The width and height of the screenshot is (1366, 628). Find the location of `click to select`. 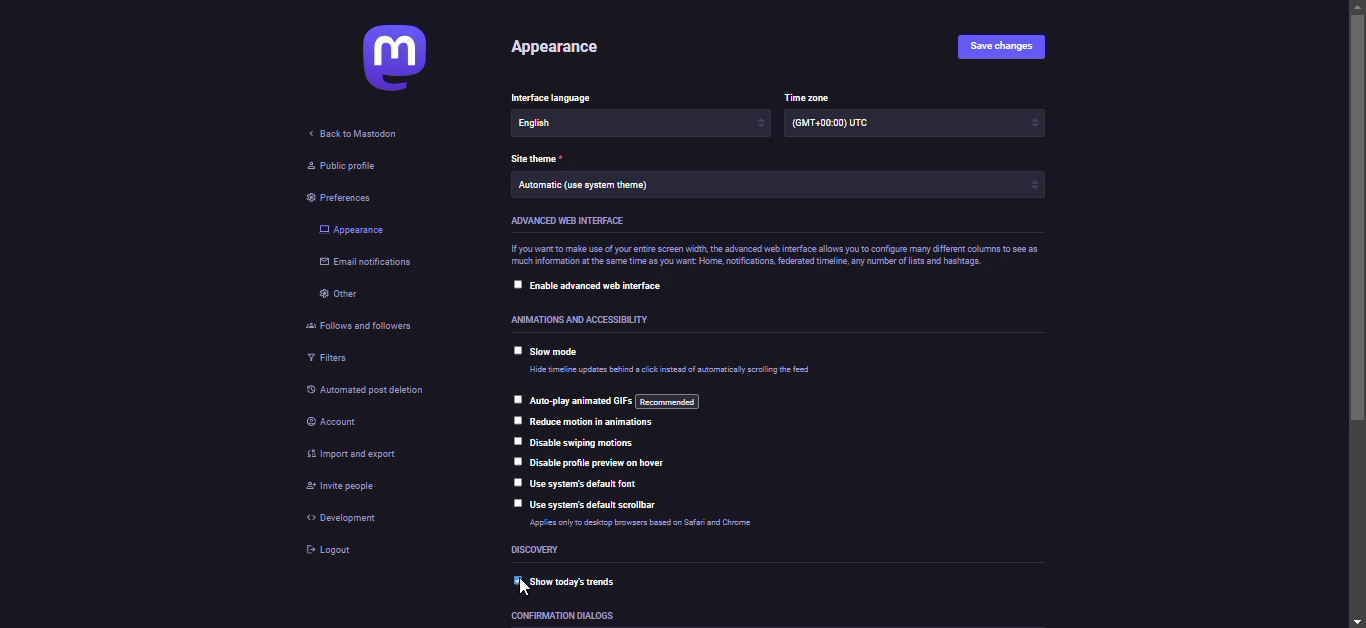

click to select is located at coordinates (513, 483).